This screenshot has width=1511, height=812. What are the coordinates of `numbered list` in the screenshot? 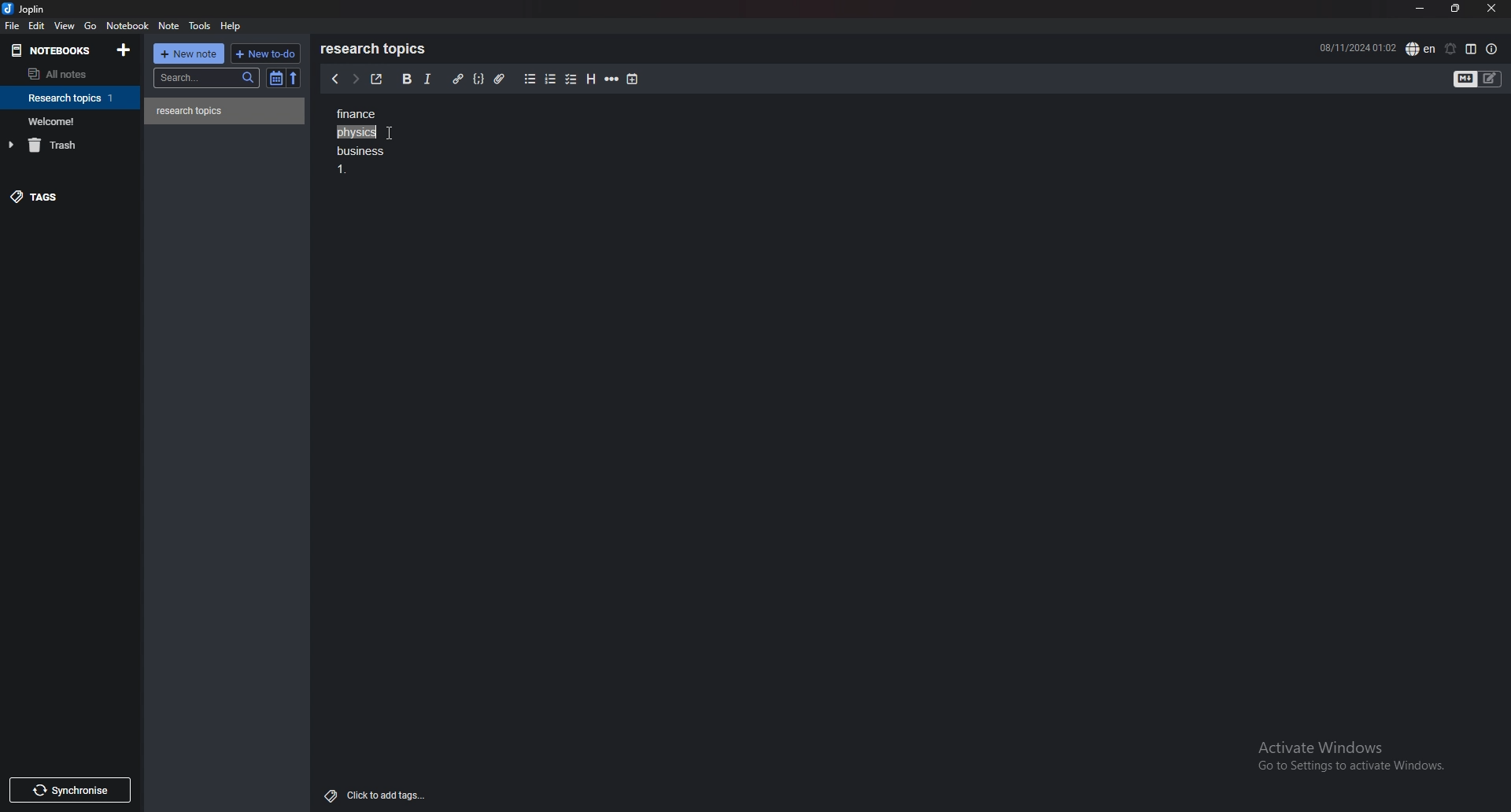 It's located at (552, 79).